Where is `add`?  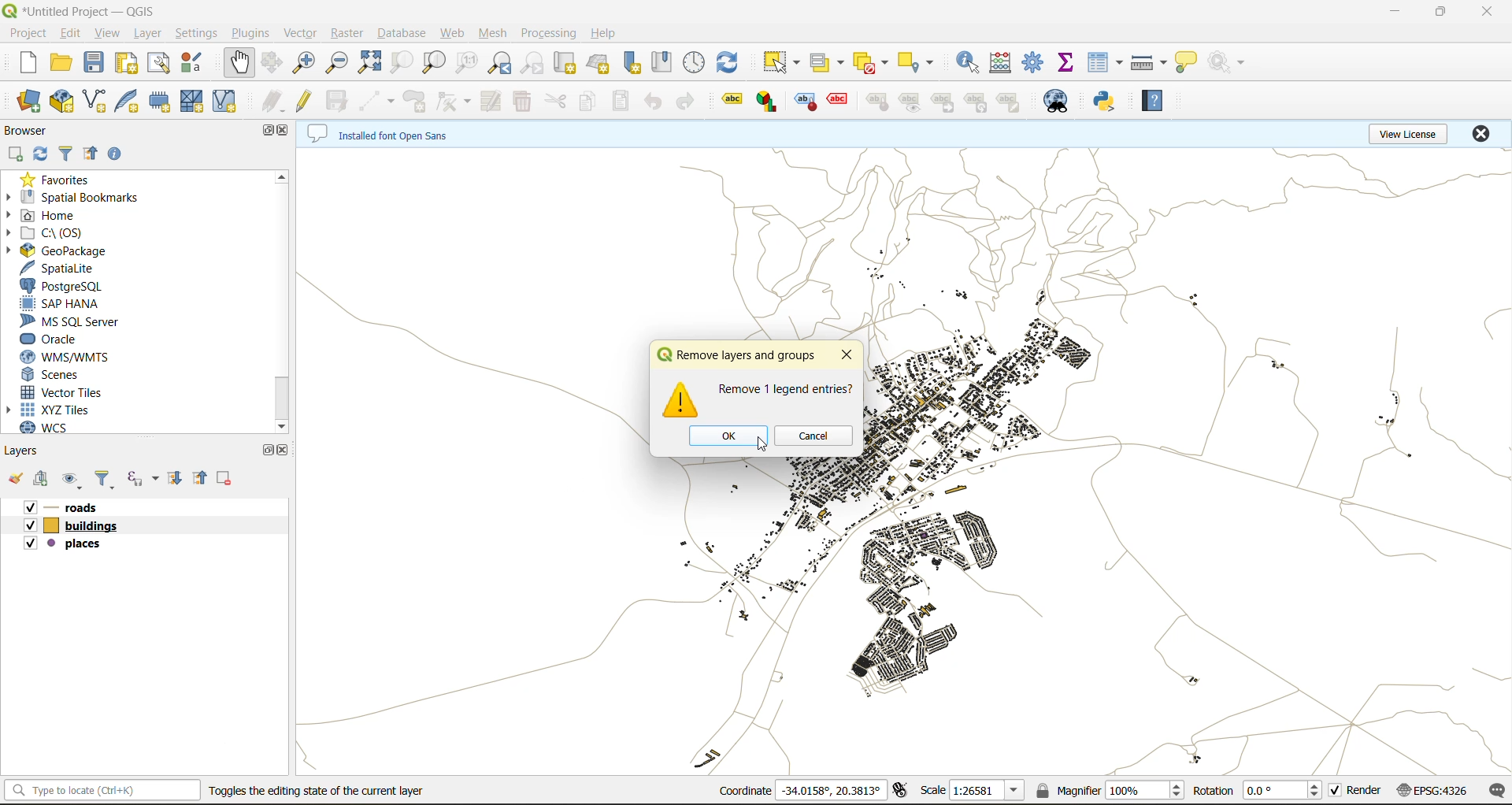 add is located at coordinates (13, 154).